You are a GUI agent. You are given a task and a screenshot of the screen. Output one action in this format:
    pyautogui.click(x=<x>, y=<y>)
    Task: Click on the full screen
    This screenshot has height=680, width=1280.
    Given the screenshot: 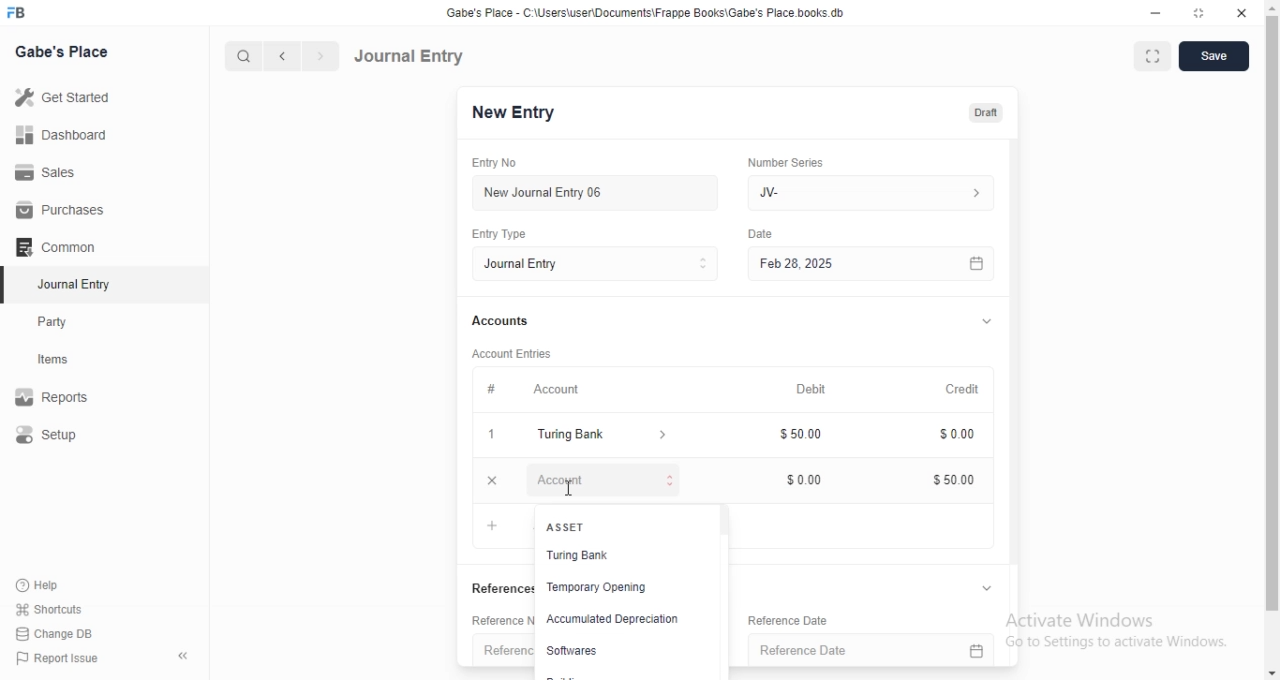 What is the action you would take?
    pyautogui.click(x=1154, y=58)
    